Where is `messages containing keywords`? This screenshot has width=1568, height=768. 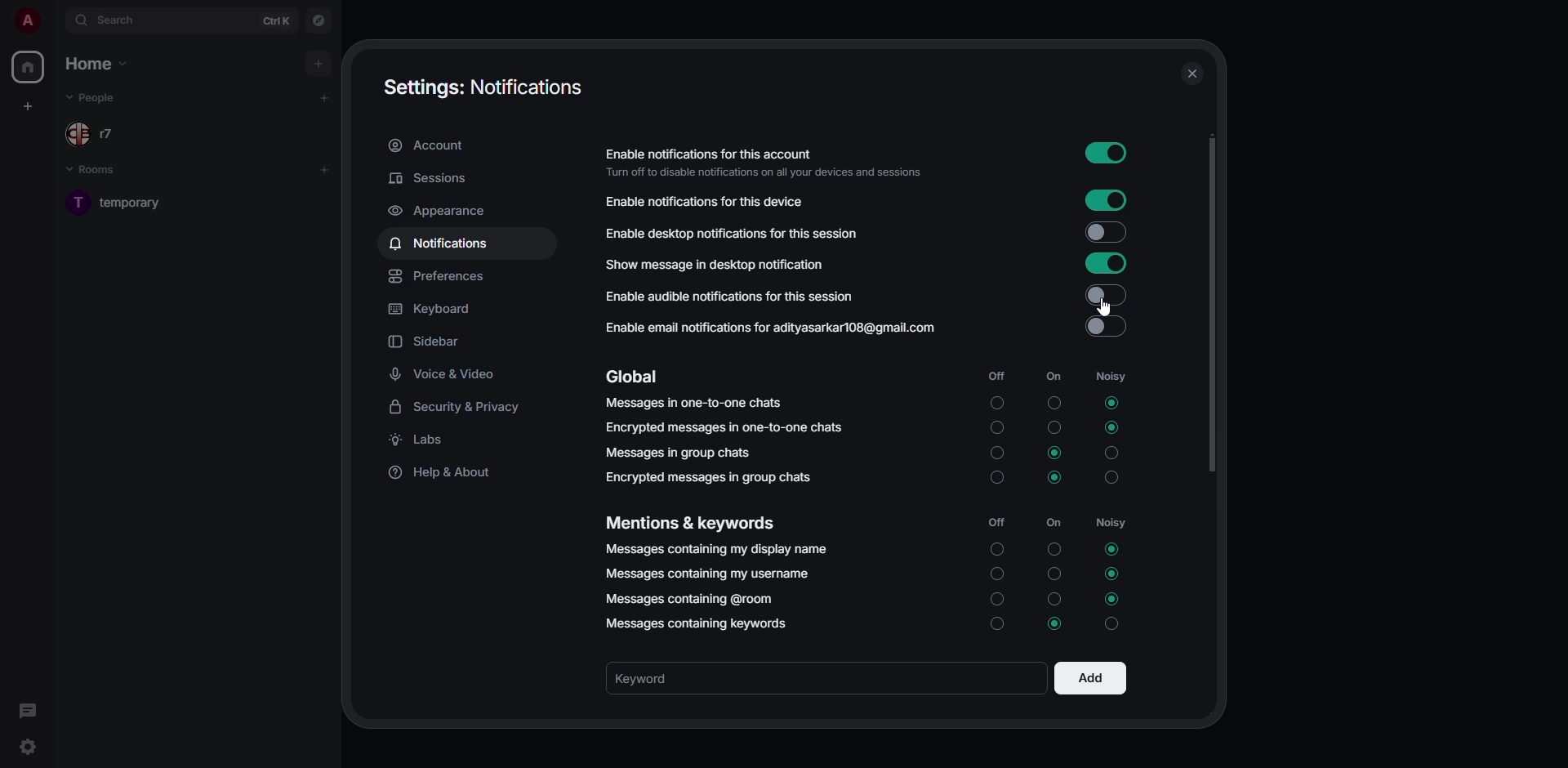 messages containing keywords is located at coordinates (702, 622).